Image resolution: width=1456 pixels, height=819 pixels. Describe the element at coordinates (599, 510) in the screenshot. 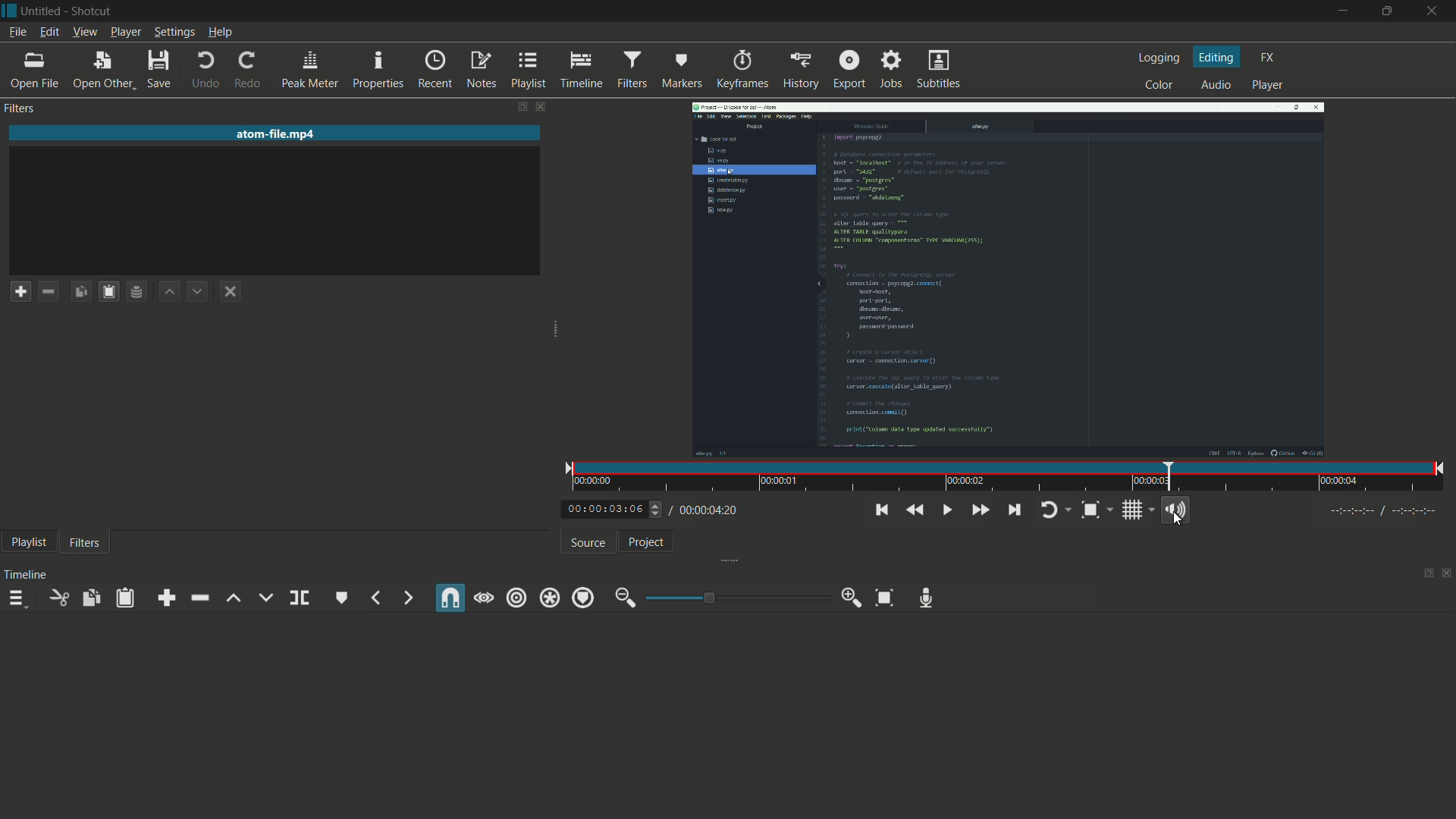

I see `00:00:03:06` at that location.